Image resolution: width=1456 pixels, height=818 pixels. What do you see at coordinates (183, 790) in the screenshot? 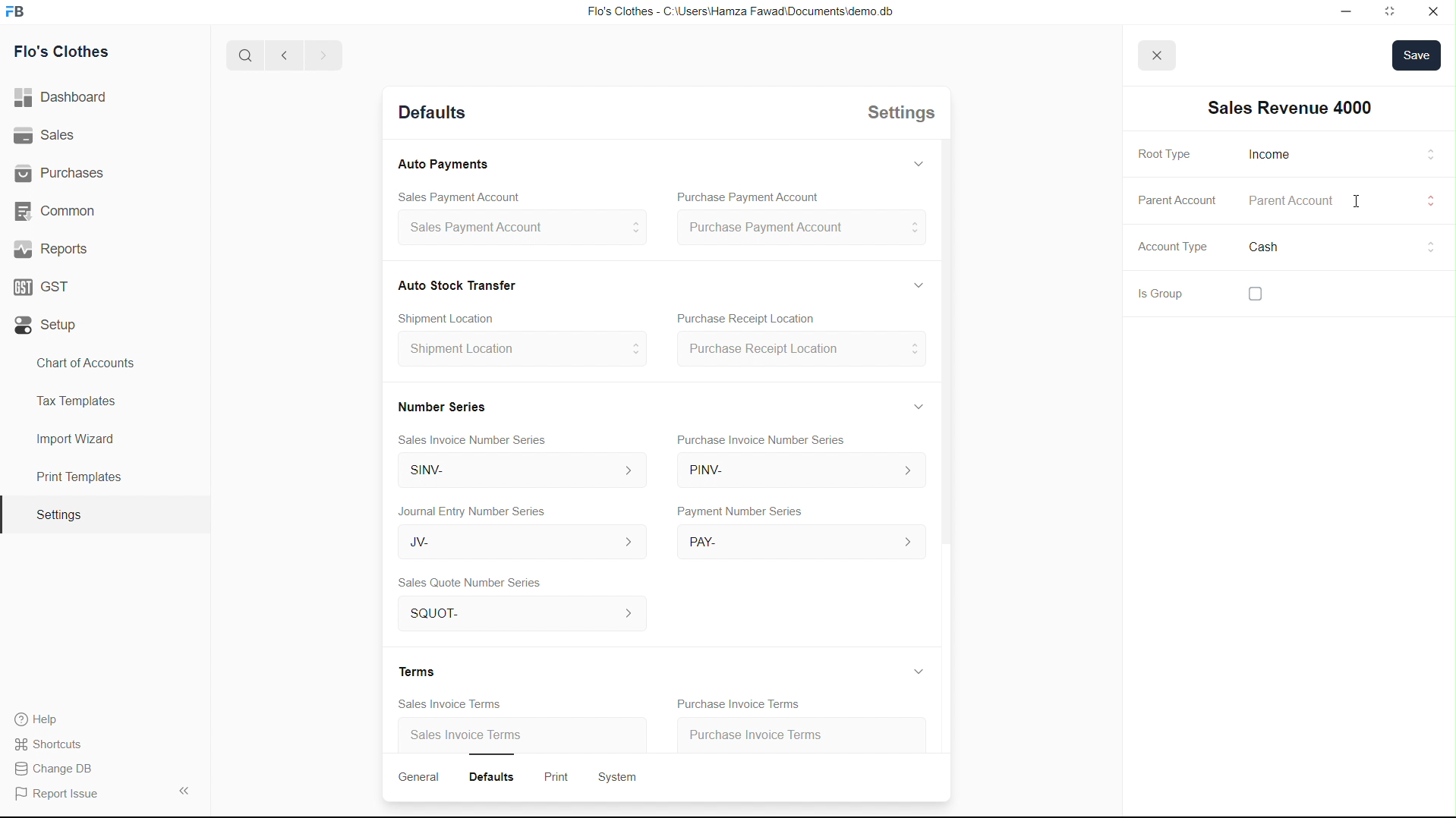
I see `Collapse` at bounding box center [183, 790].